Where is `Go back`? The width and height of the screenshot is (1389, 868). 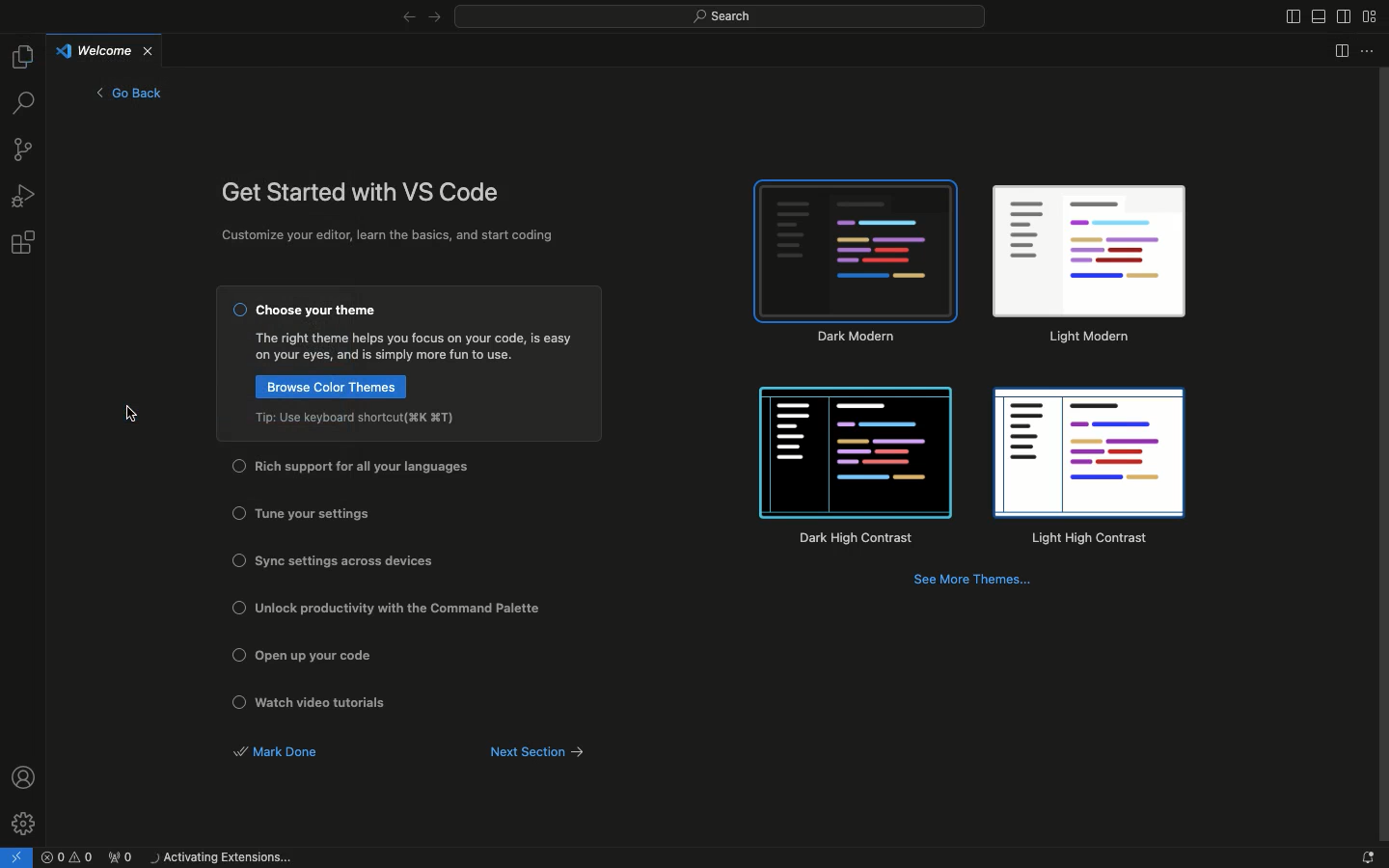
Go back is located at coordinates (129, 93).